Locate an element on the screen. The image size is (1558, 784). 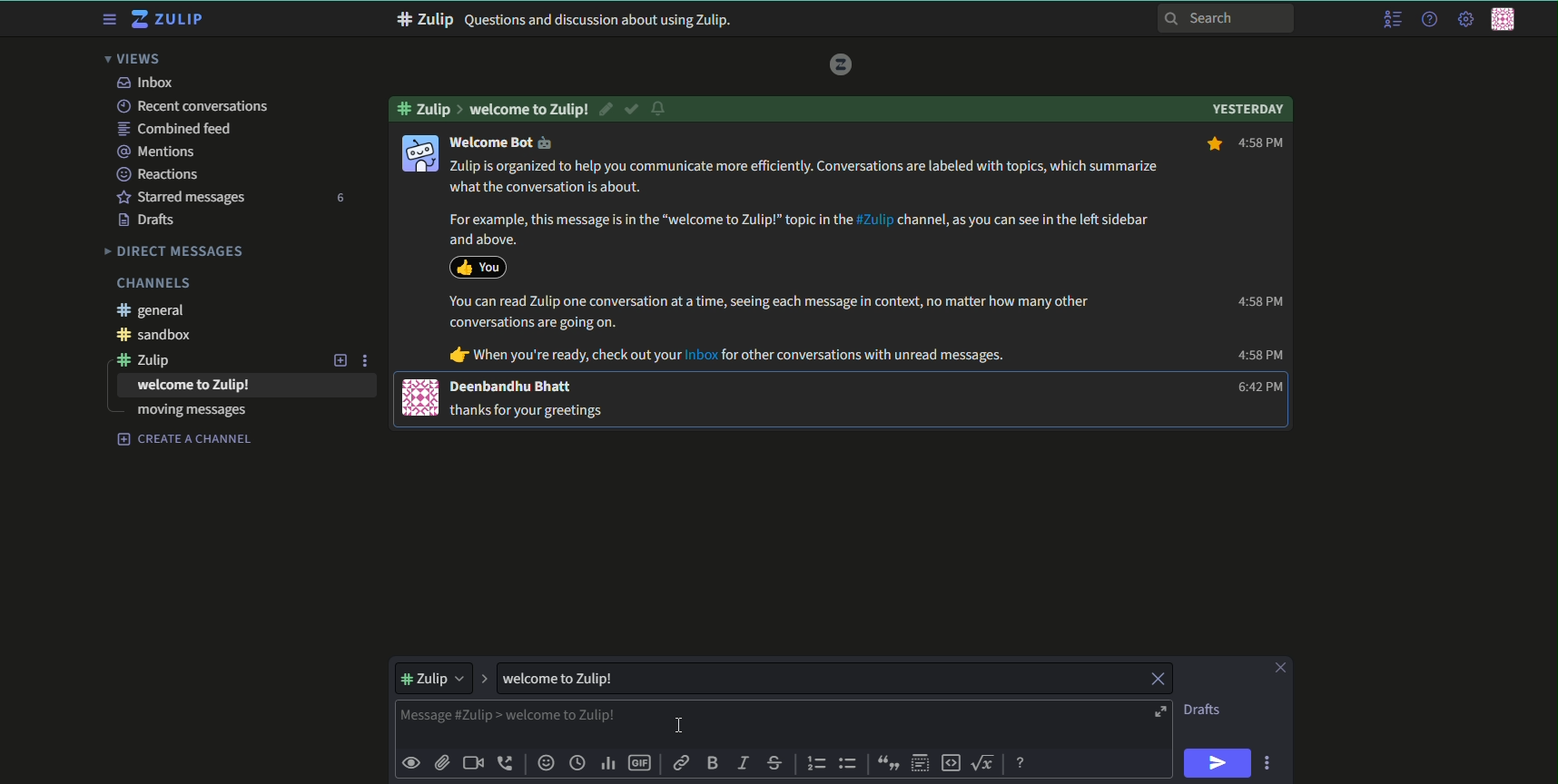
add gif is located at coordinates (642, 765).